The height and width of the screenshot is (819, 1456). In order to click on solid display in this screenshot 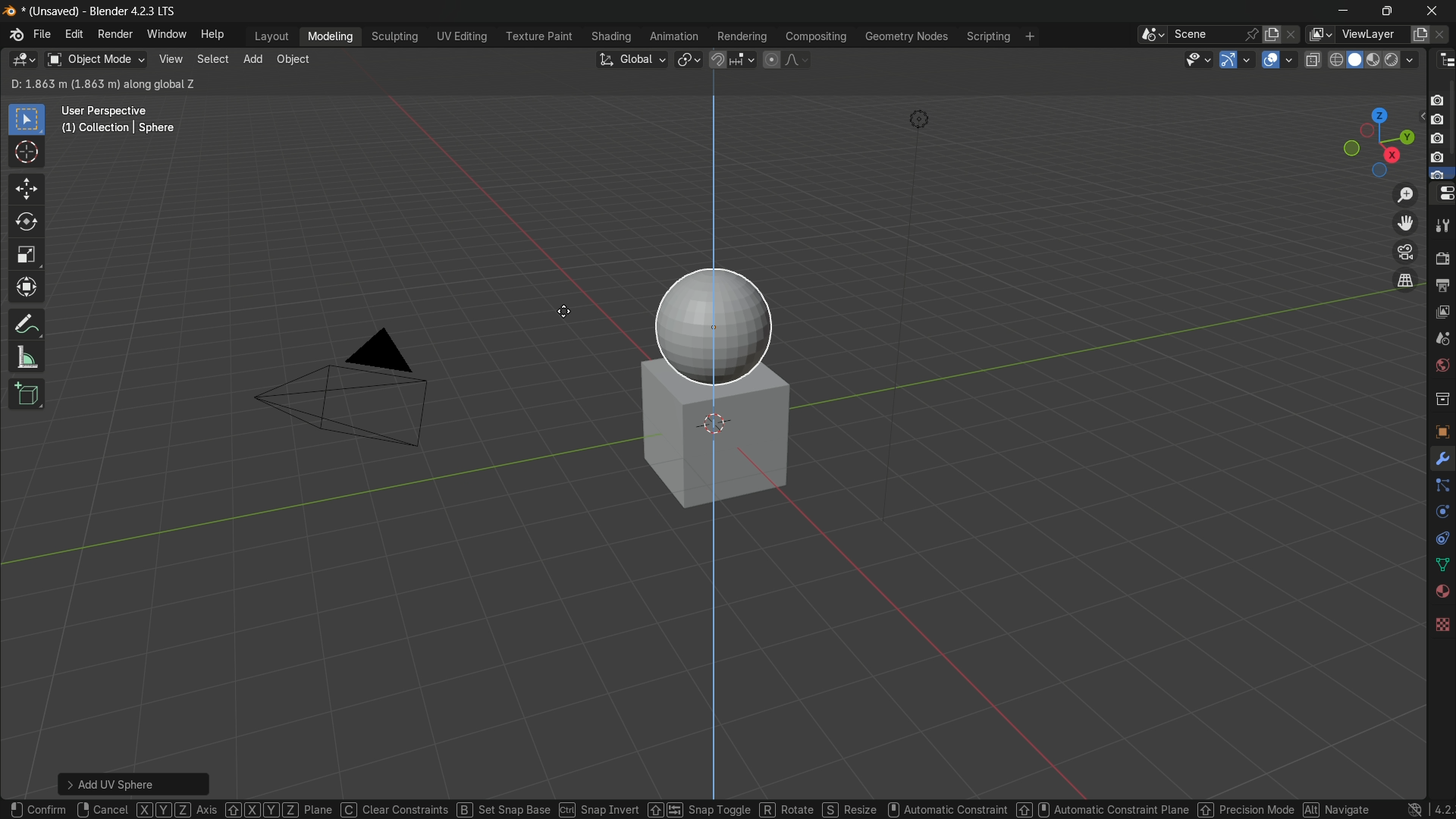, I will do `click(1355, 59)`.